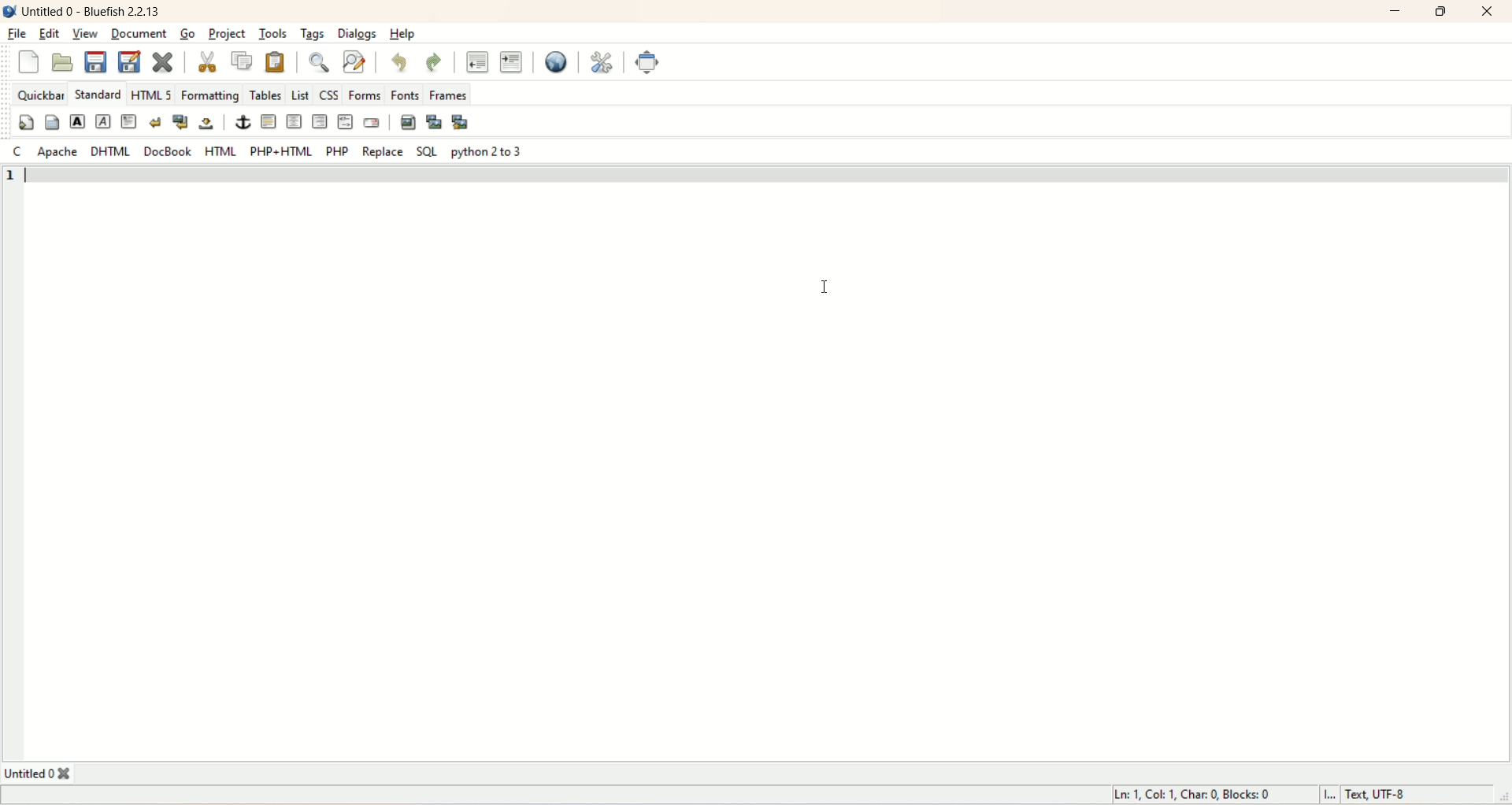 The height and width of the screenshot is (805, 1512). What do you see at coordinates (154, 123) in the screenshot?
I see `break` at bounding box center [154, 123].